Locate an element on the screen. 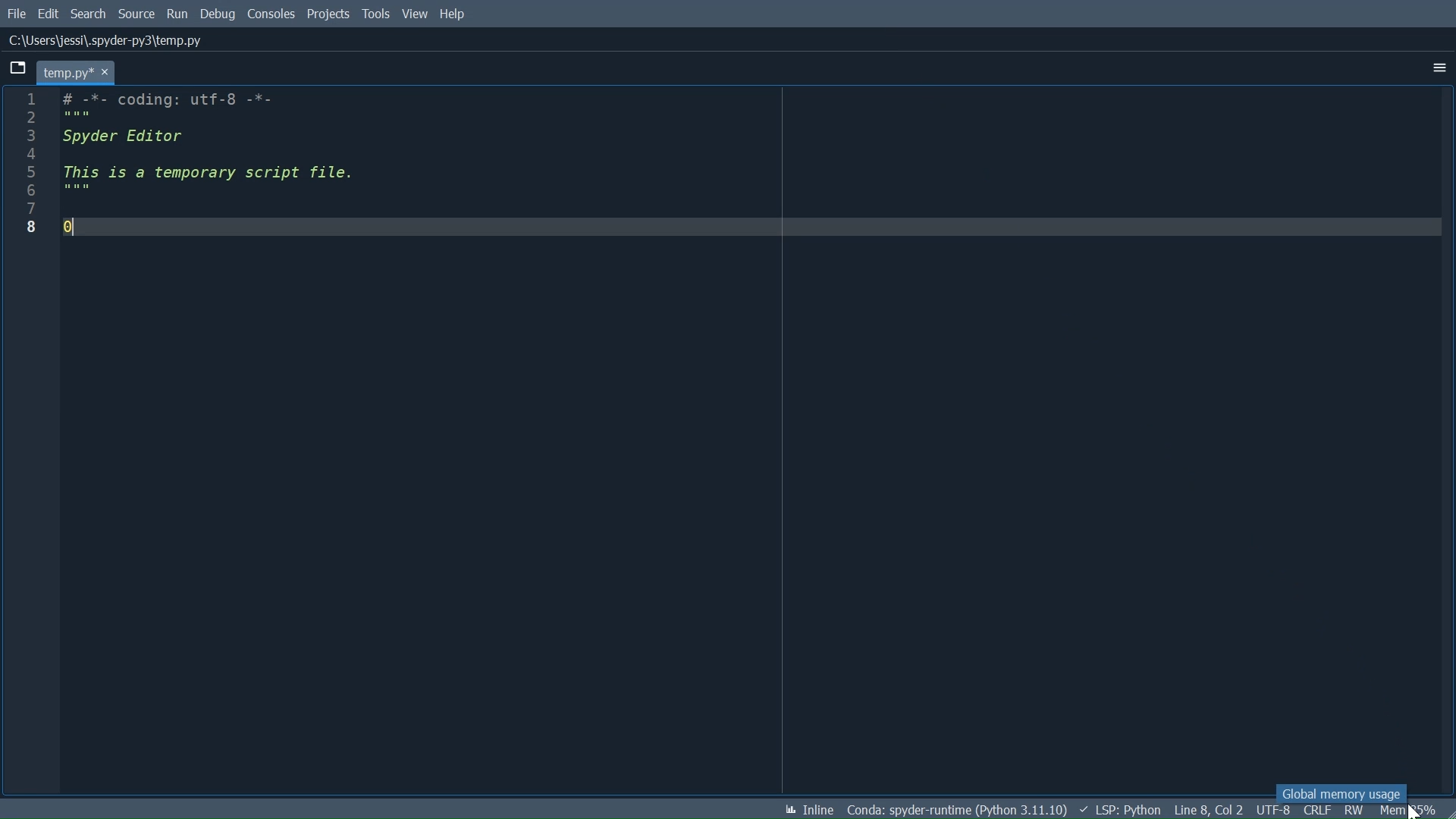 Image resolution: width=1456 pixels, height=819 pixels. More Options is located at coordinates (1439, 68).